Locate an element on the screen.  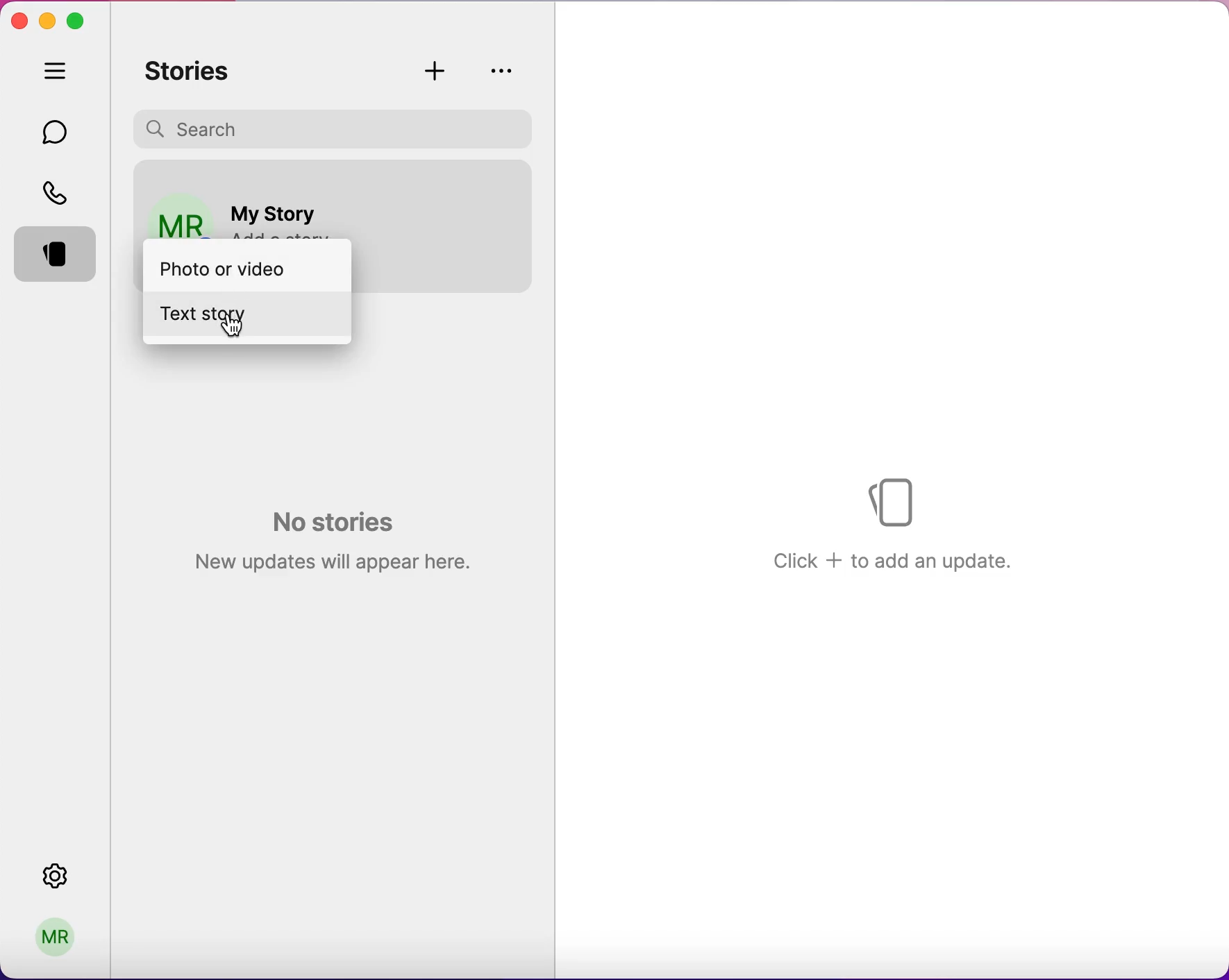
minimize is located at coordinates (48, 18).